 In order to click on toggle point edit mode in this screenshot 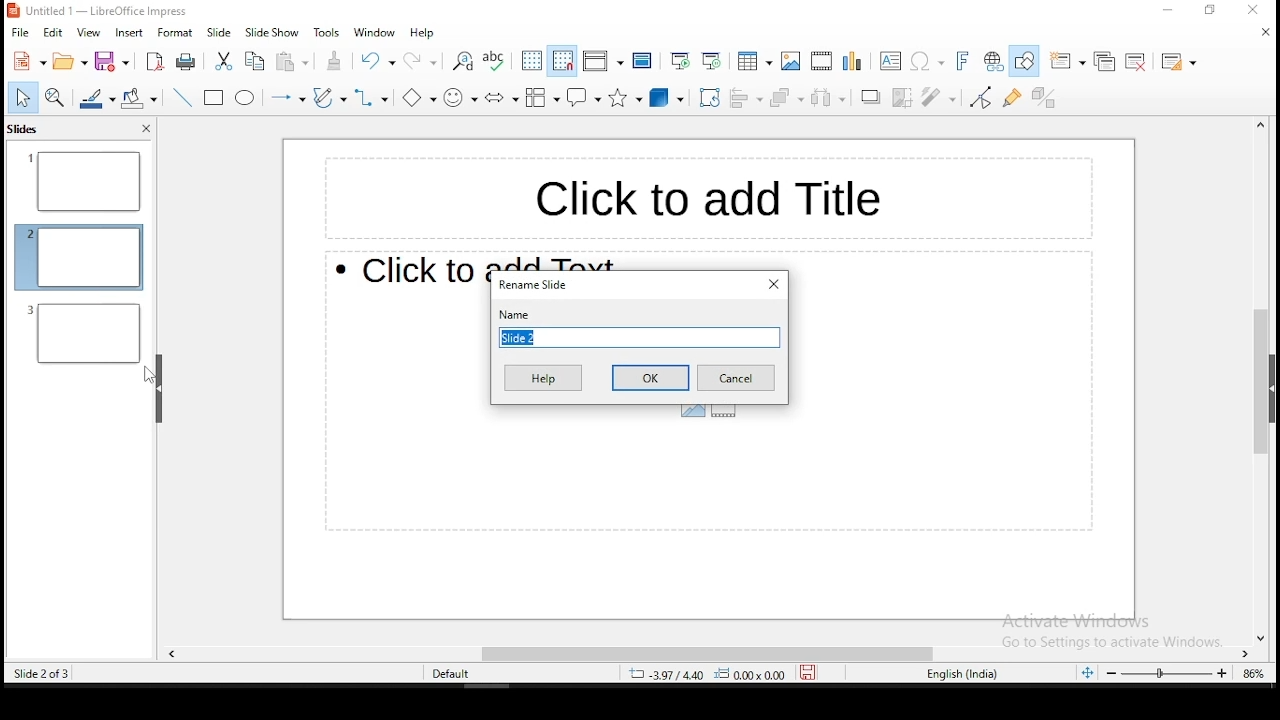, I will do `click(979, 99)`.